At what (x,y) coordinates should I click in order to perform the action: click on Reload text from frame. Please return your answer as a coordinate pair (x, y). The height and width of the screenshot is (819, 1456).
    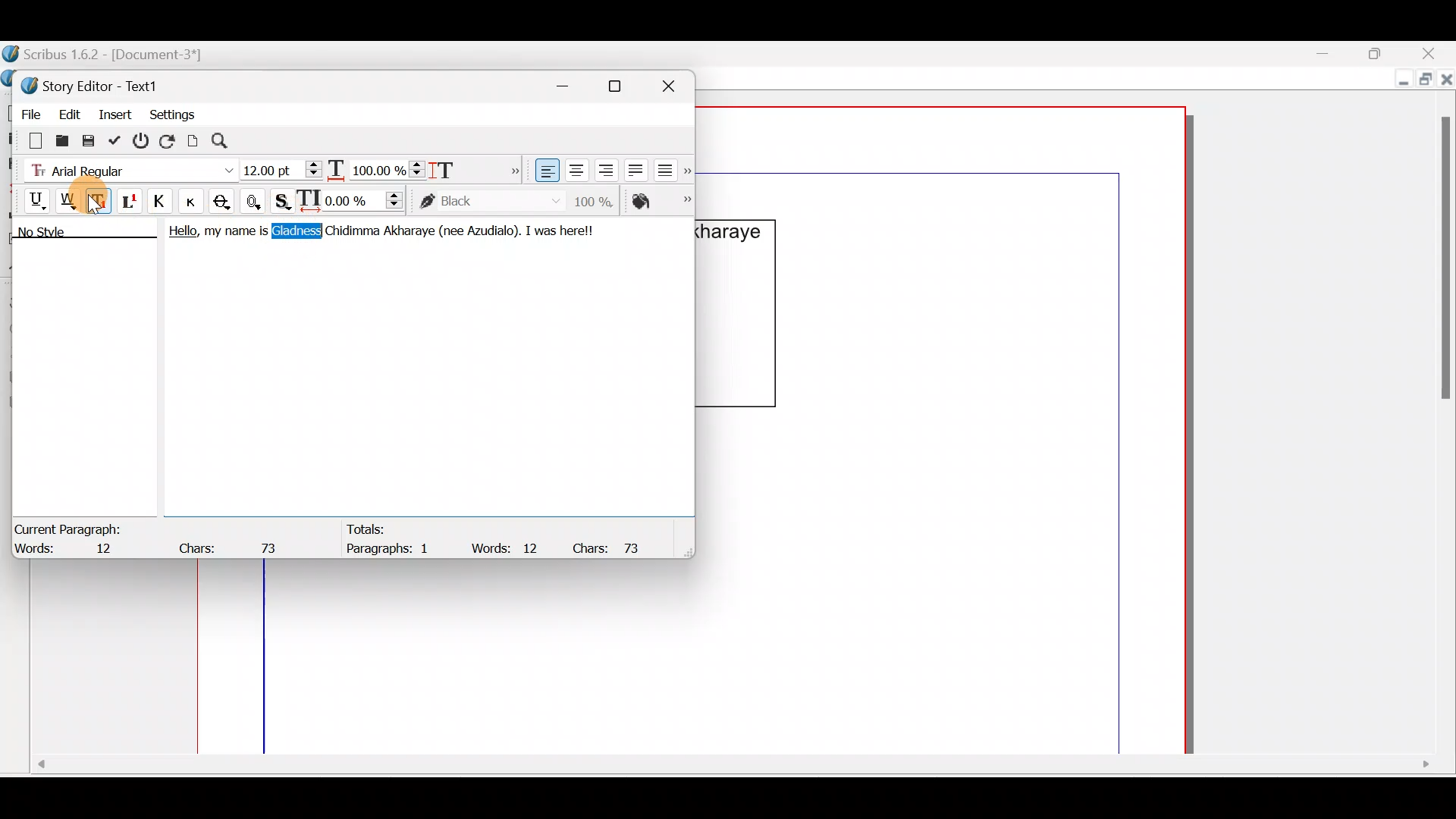
    Looking at the image, I should click on (169, 140).